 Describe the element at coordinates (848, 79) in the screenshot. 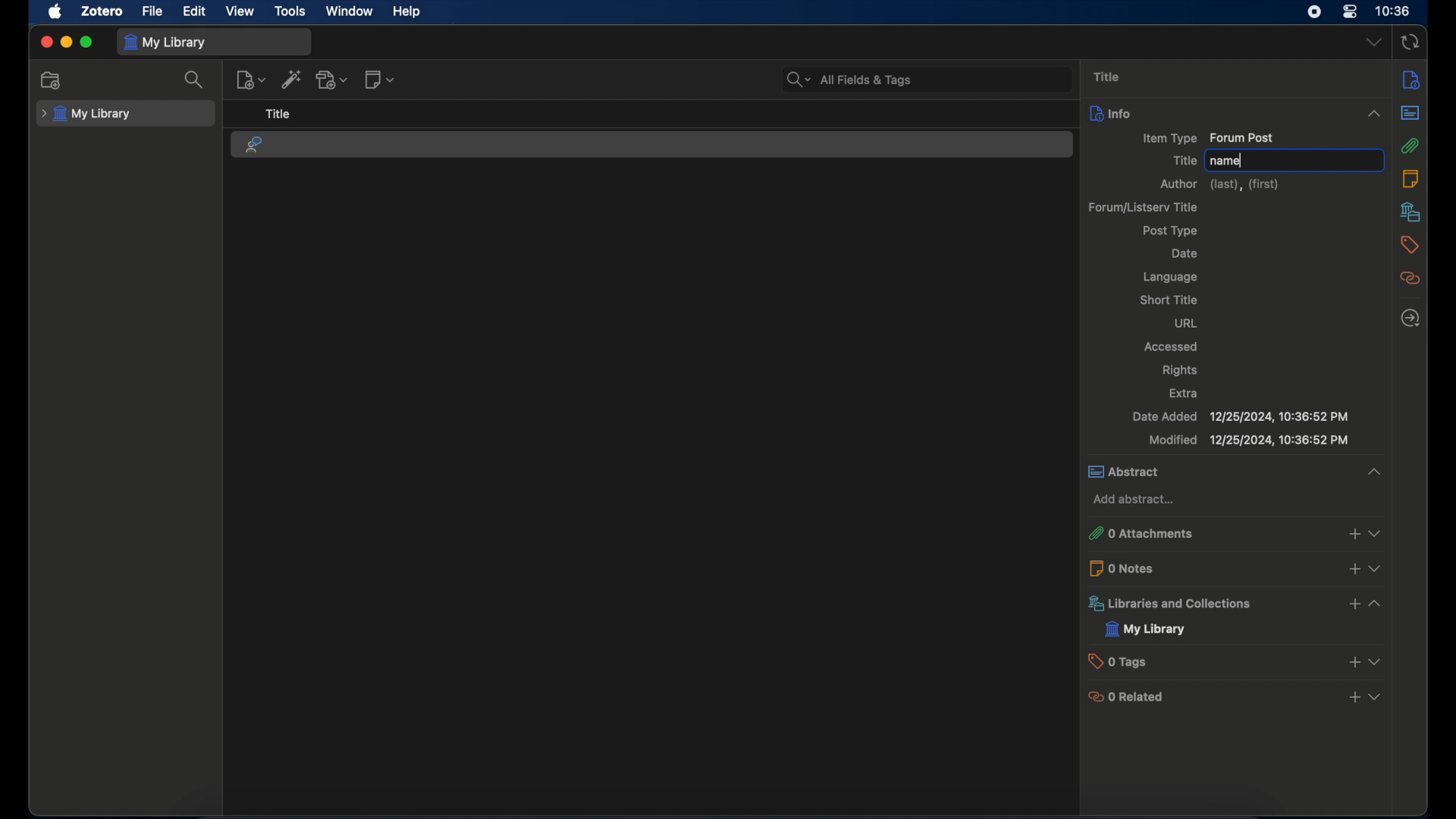

I see `search bar` at that location.